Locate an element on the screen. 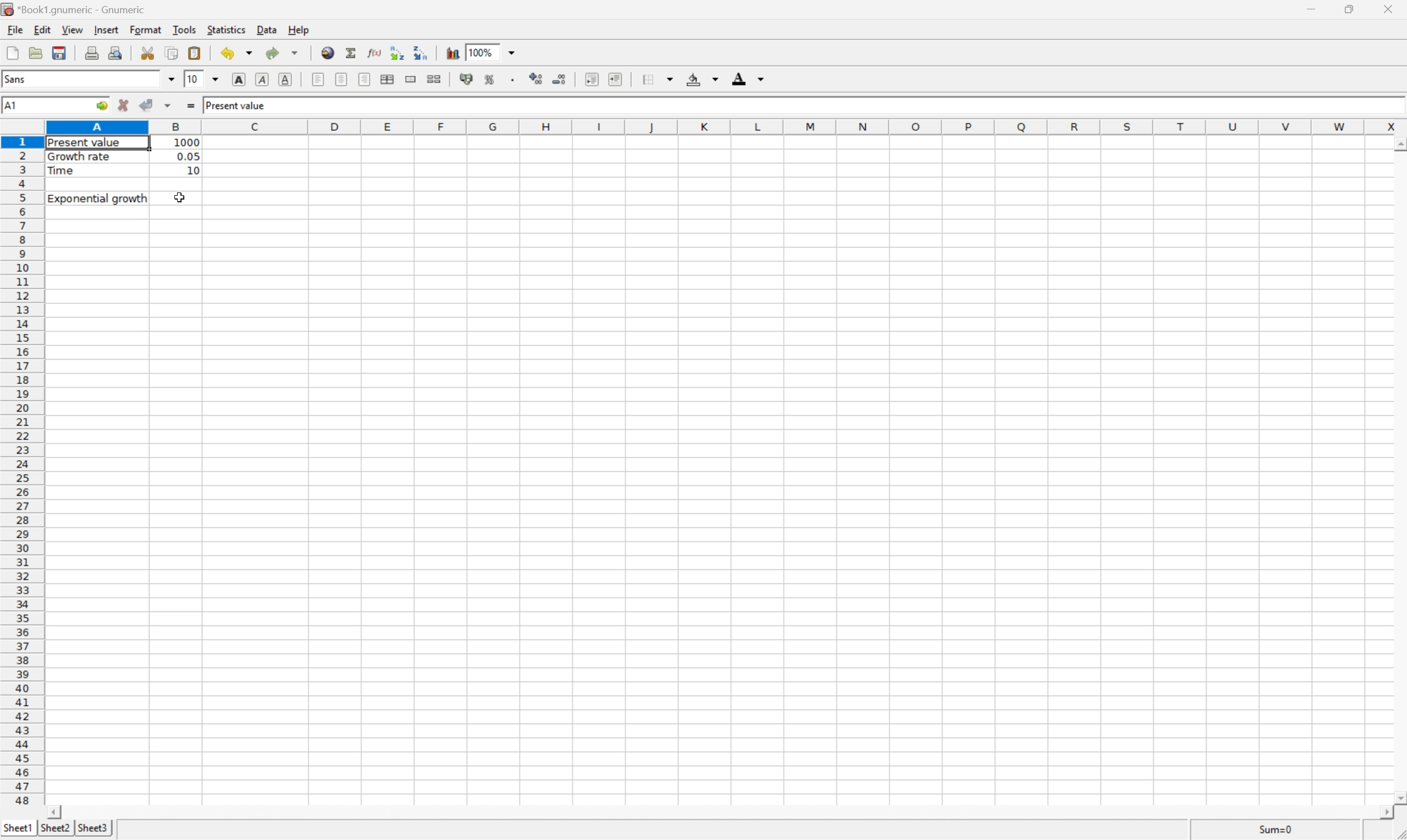 The height and width of the screenshot is (840, 1407). Cancel changes is located at coordinates (124, 104).